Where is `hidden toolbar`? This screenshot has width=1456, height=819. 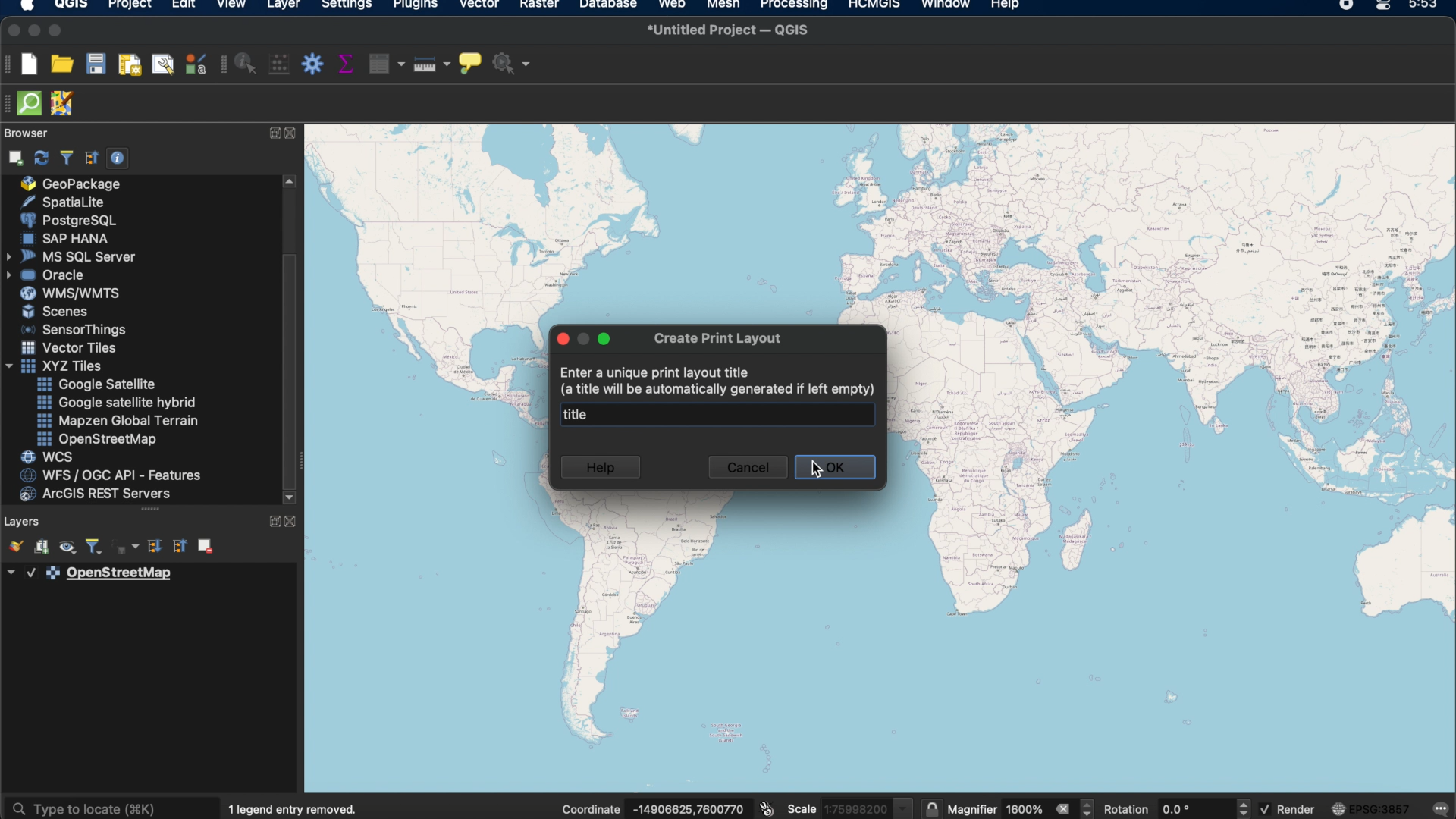
hidden toolbar is located at coordinates (9, 105).